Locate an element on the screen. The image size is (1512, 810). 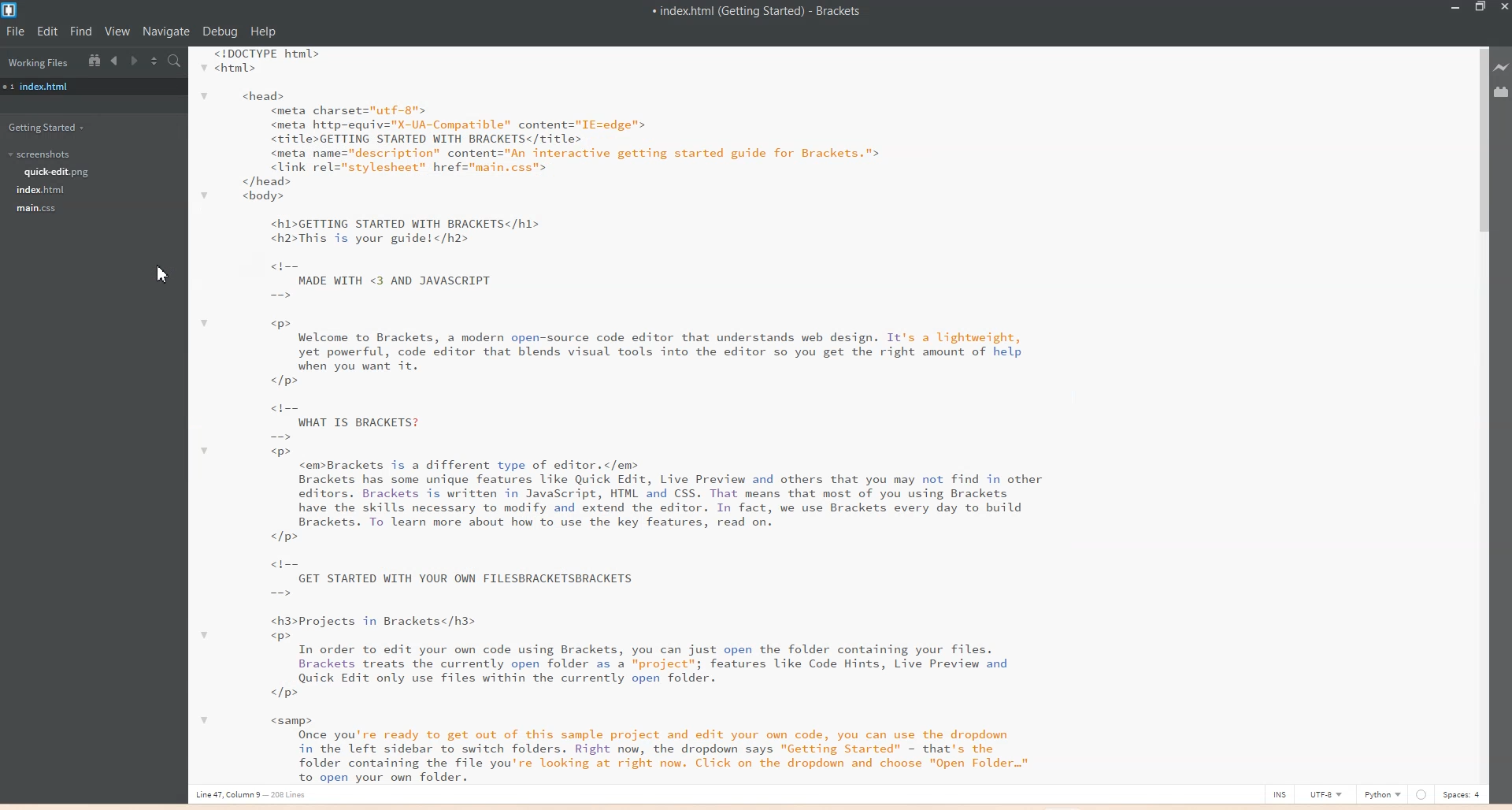
Quick-edit.png is located at coordinates (59, 173).